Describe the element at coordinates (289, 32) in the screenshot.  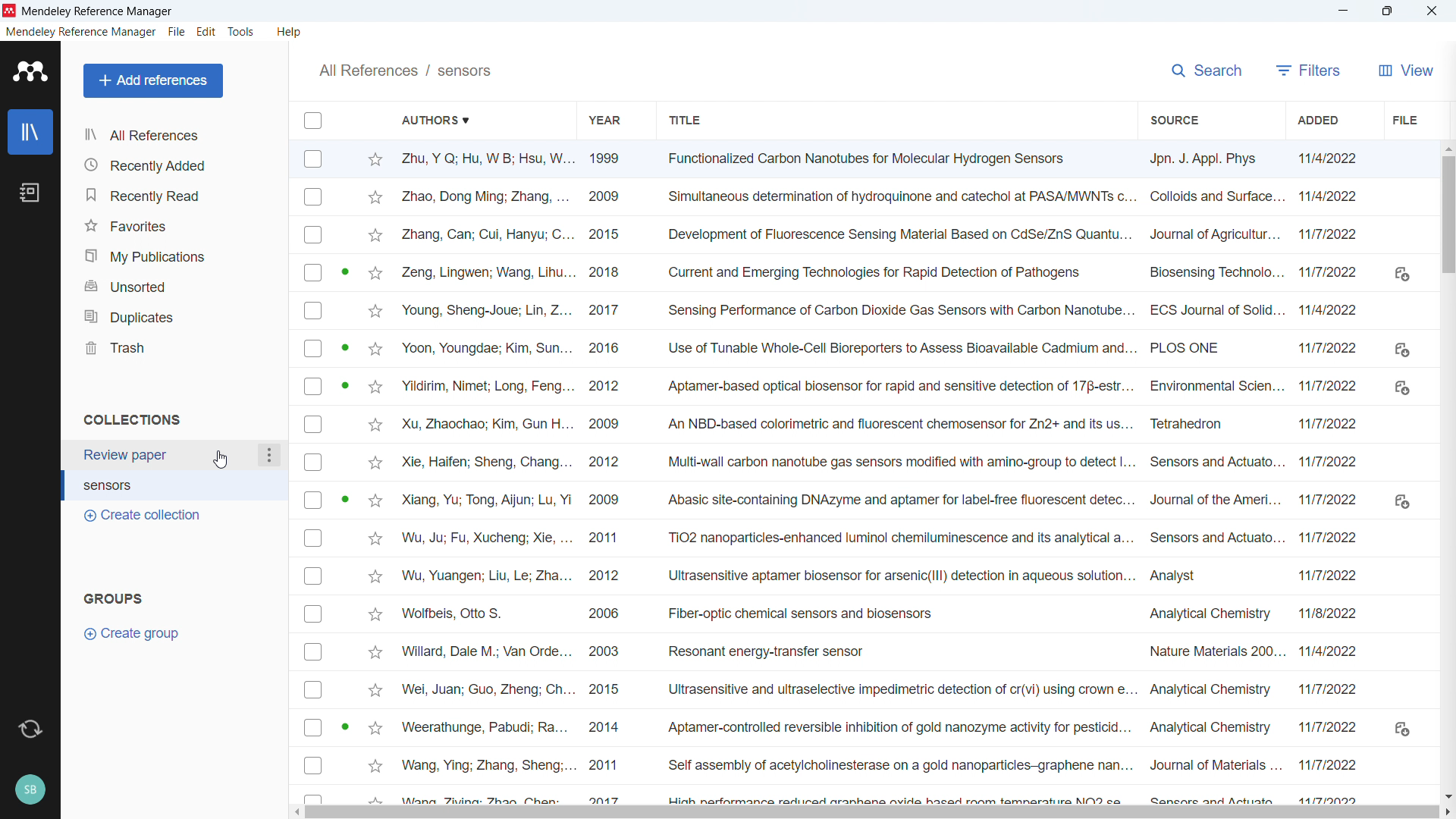
I see ` help ` at that location.